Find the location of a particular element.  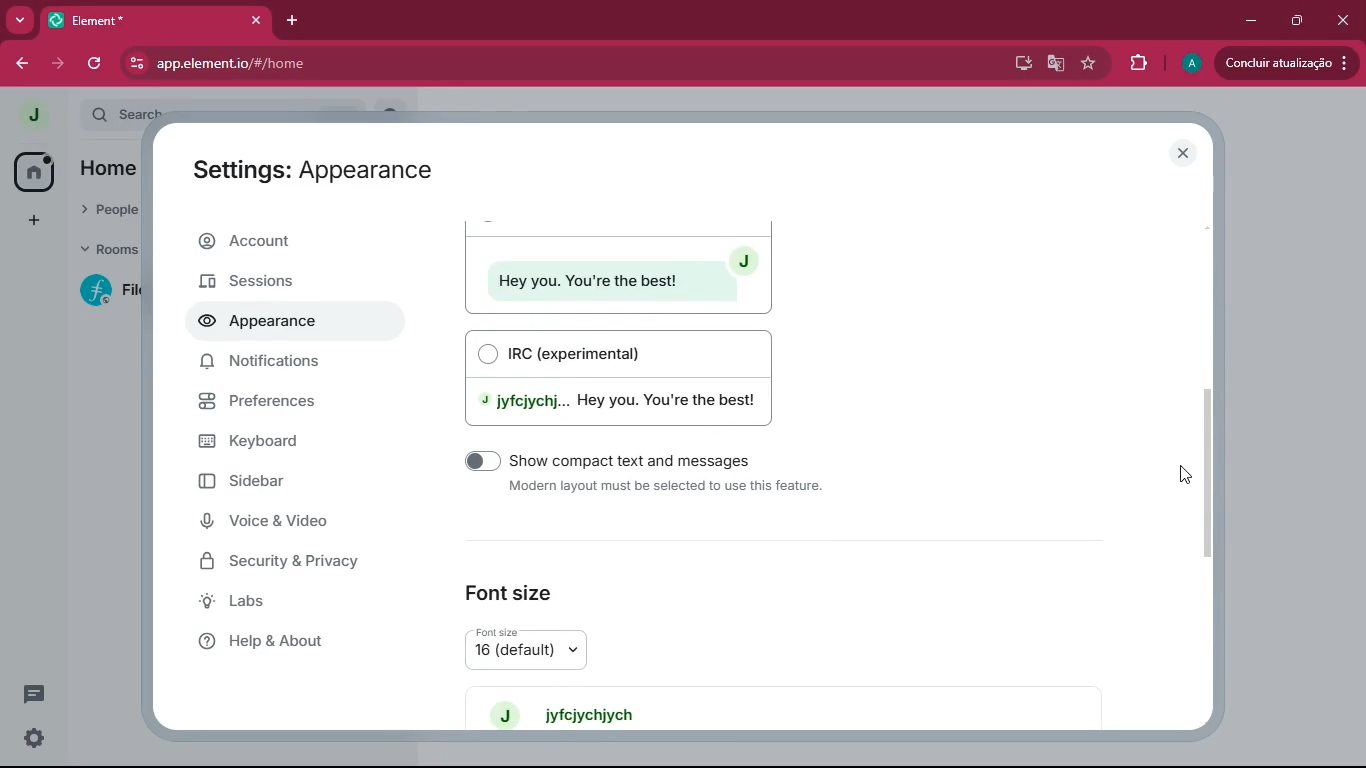

Element* is located at coordinates (139, 21).